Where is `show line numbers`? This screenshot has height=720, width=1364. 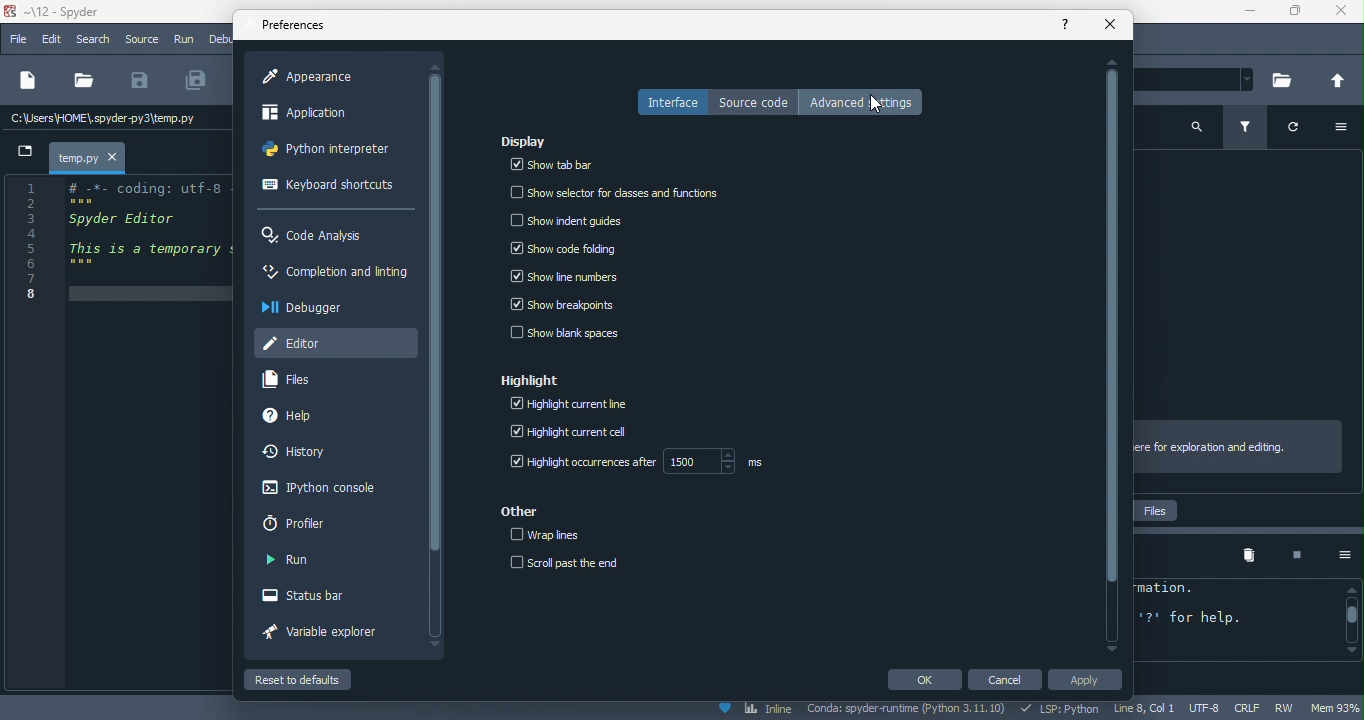
show line numbers is located at coordinates (566, 279).